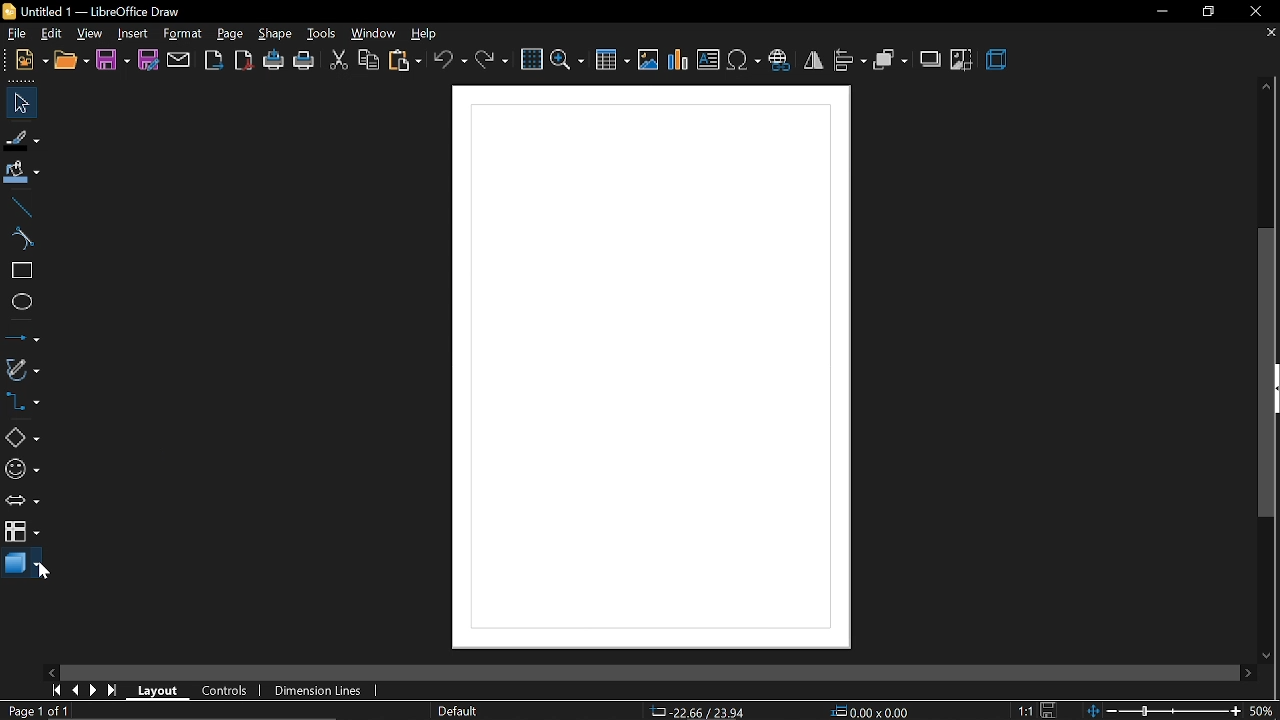 The width and height of the screenshot is (1280, 720). What do you see at coordinates (162, 691) in the screenshot?
I see `layout` at bounding box center [162, 691].